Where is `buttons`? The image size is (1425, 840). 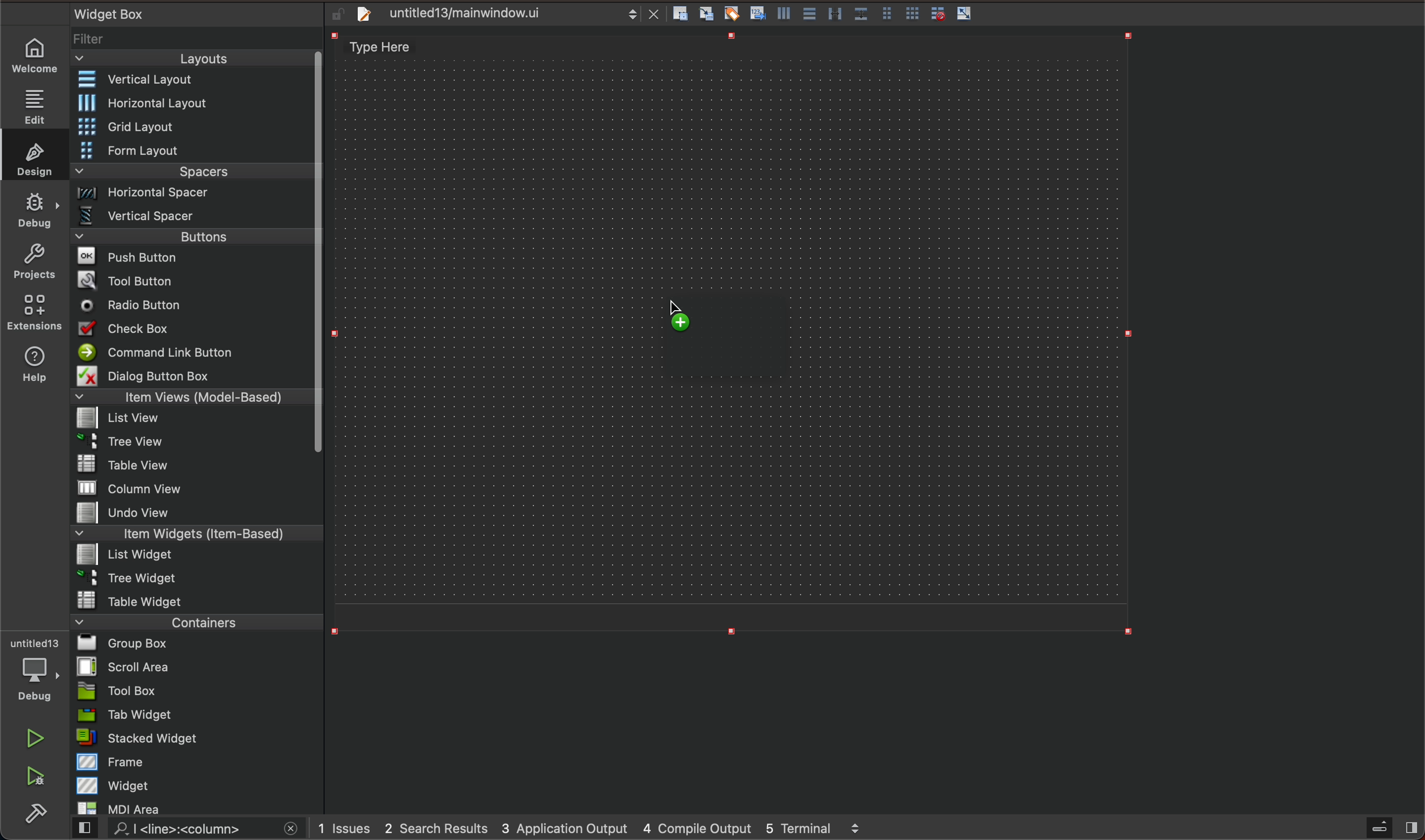 buttons is located at coordinates (200, 235).